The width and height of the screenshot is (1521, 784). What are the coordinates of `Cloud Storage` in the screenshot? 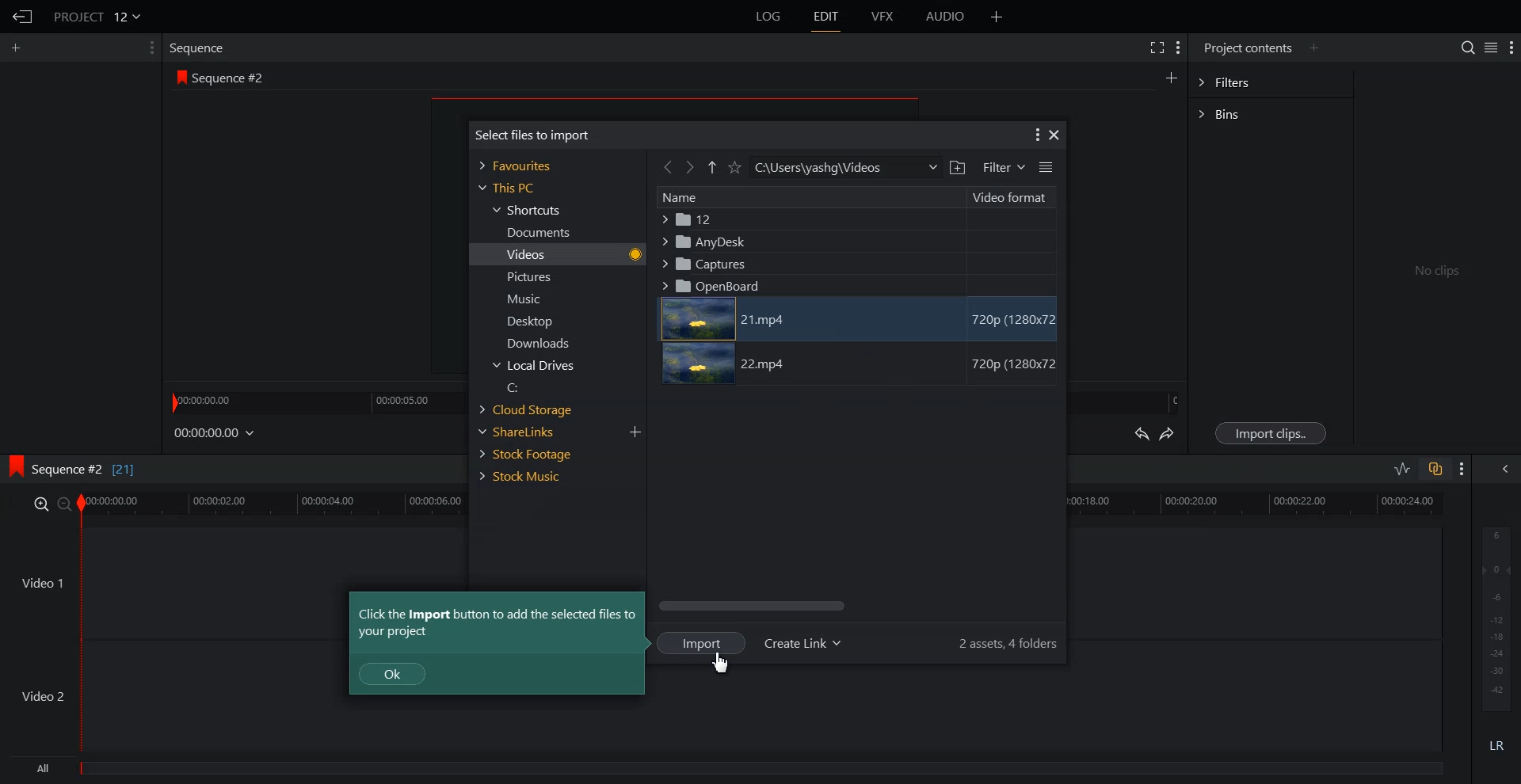 It's located at (533, 409).